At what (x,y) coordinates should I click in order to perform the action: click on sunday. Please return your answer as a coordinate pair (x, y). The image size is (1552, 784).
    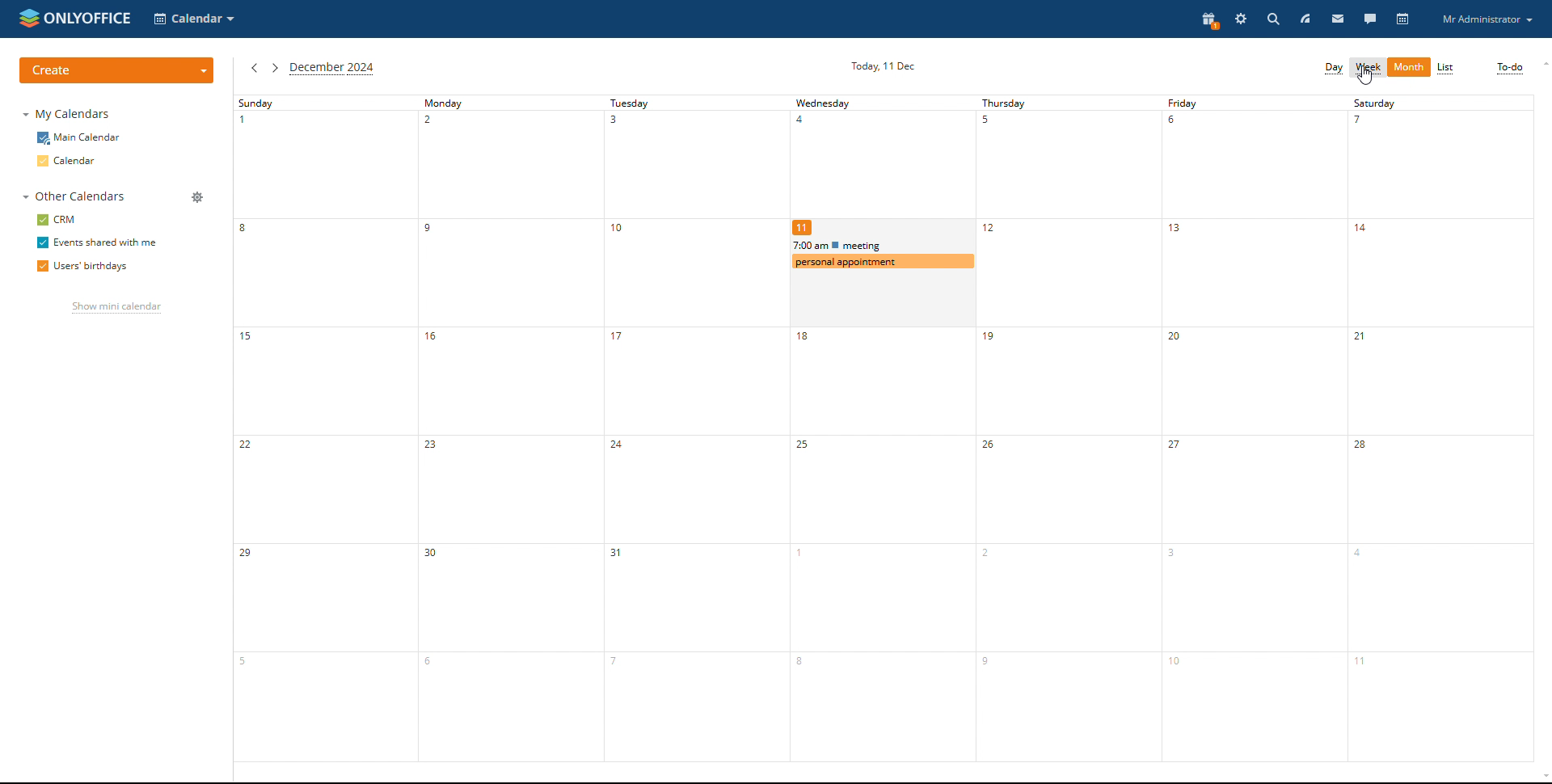
    Looking at the image, I should click on (323, 428).